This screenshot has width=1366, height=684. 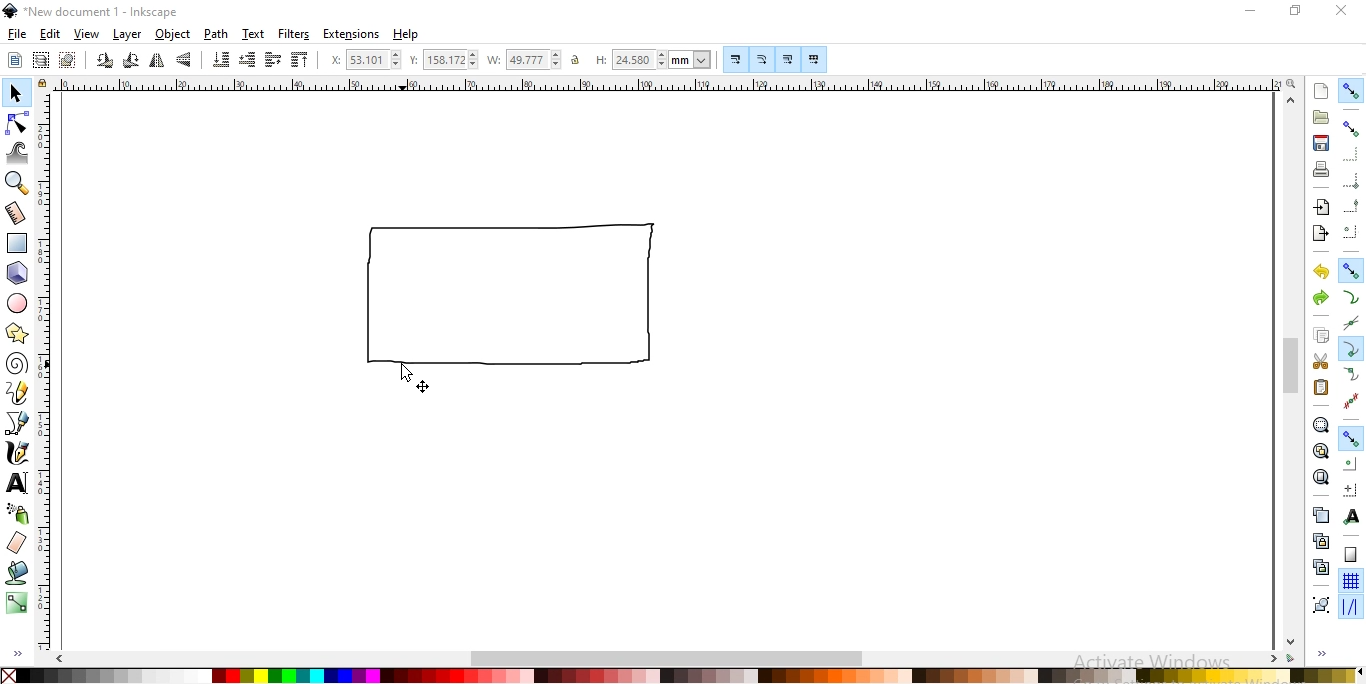 I want to click on zoom to fit  drawing , so click(x=1319, y=451).